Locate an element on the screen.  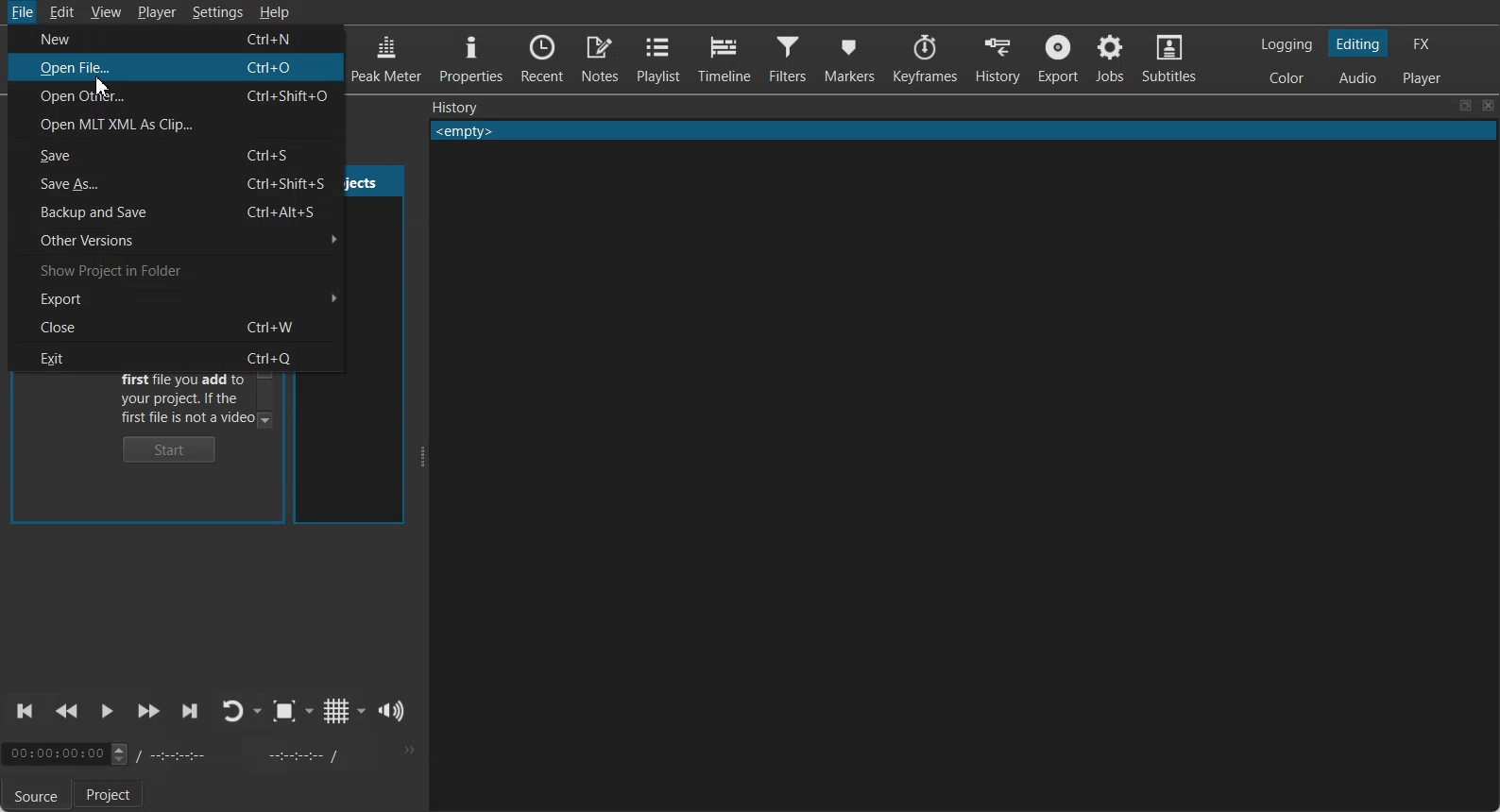
Playlist is located at coordinates (657, 58).